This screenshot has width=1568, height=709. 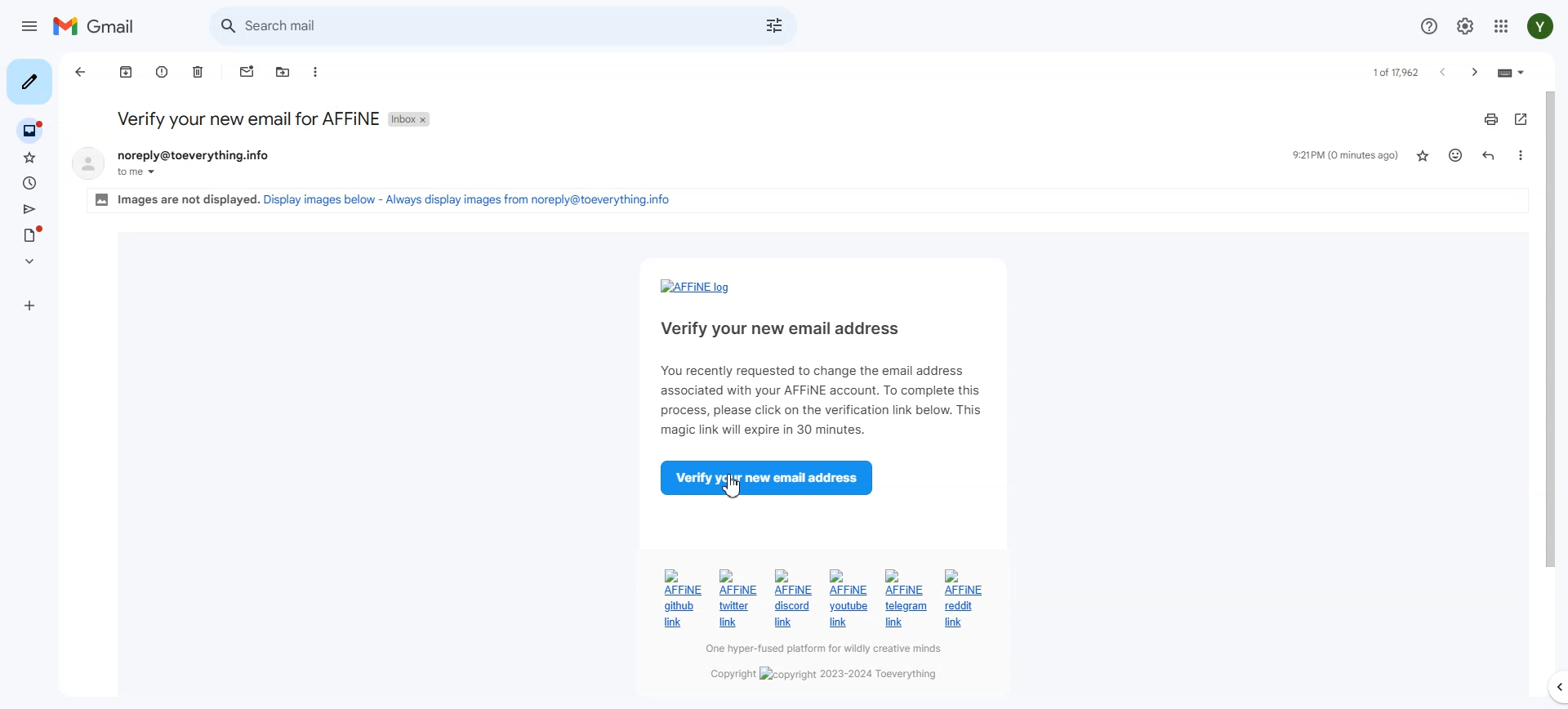 I want to click on Search mail, so click(x=482, y=25).